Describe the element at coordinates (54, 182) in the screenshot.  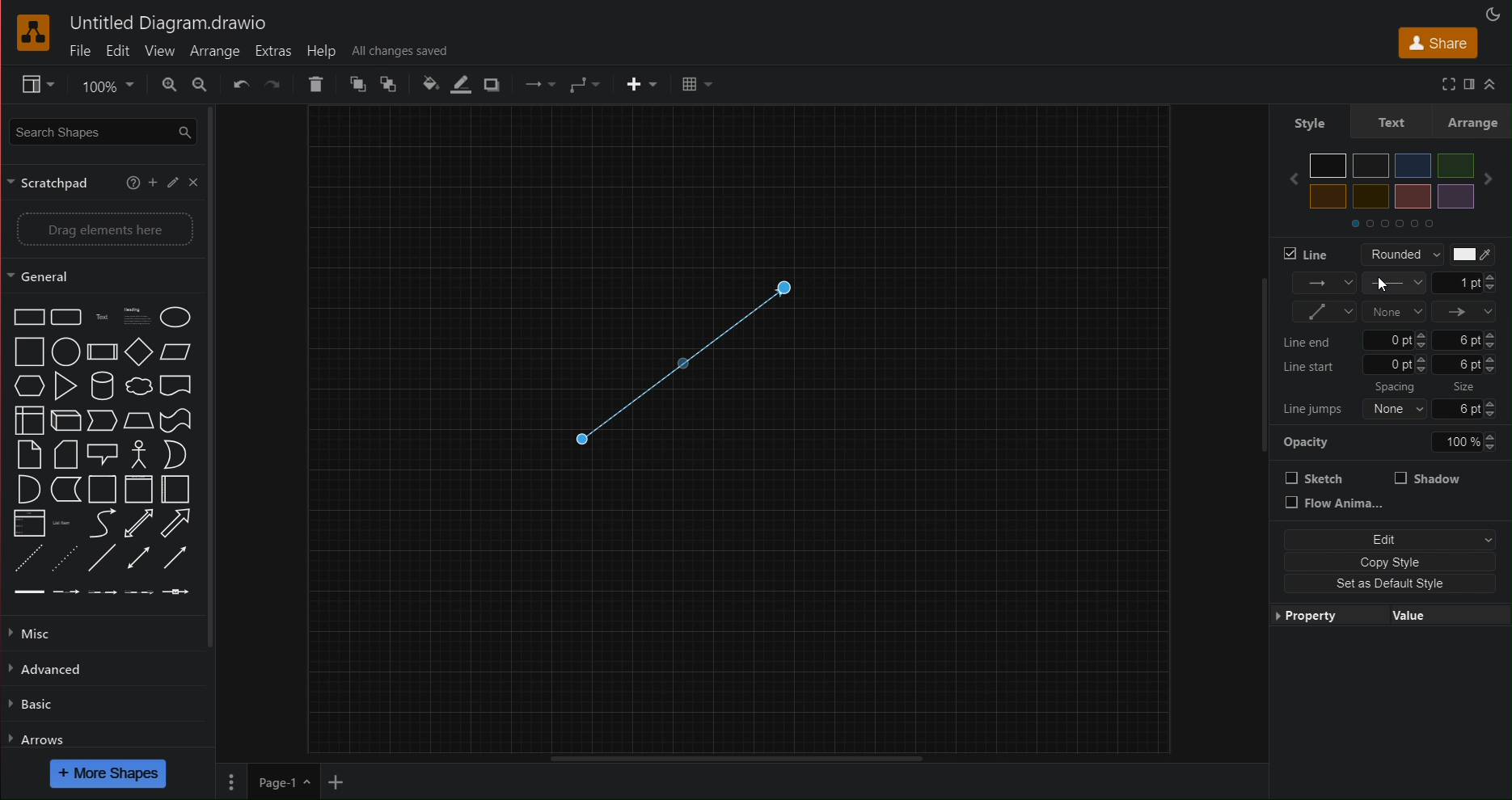
I see `Scratchpad` at that location.